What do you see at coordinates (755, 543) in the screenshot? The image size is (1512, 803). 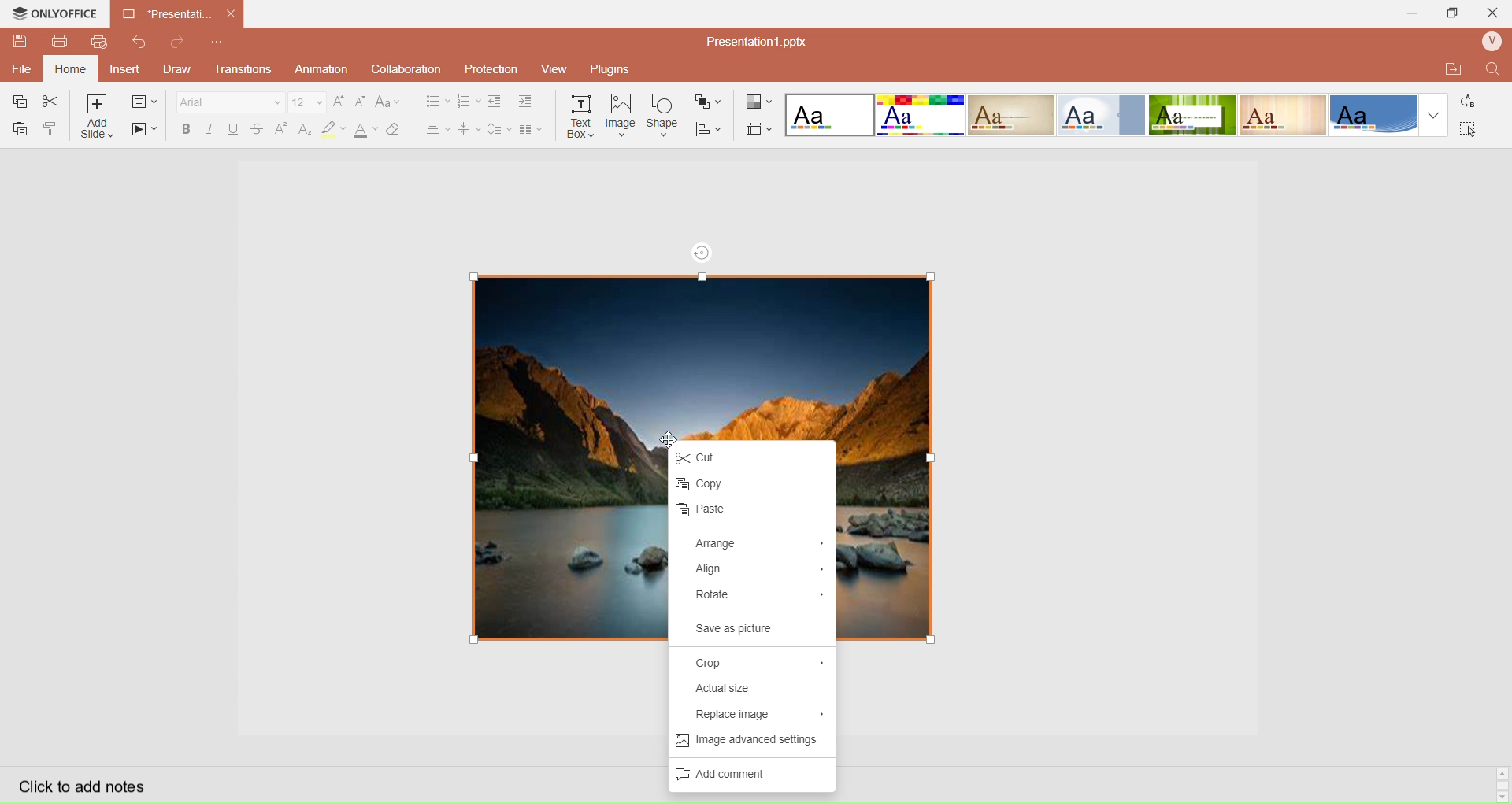 I see `Arrange` at bounding box center [755, 543].